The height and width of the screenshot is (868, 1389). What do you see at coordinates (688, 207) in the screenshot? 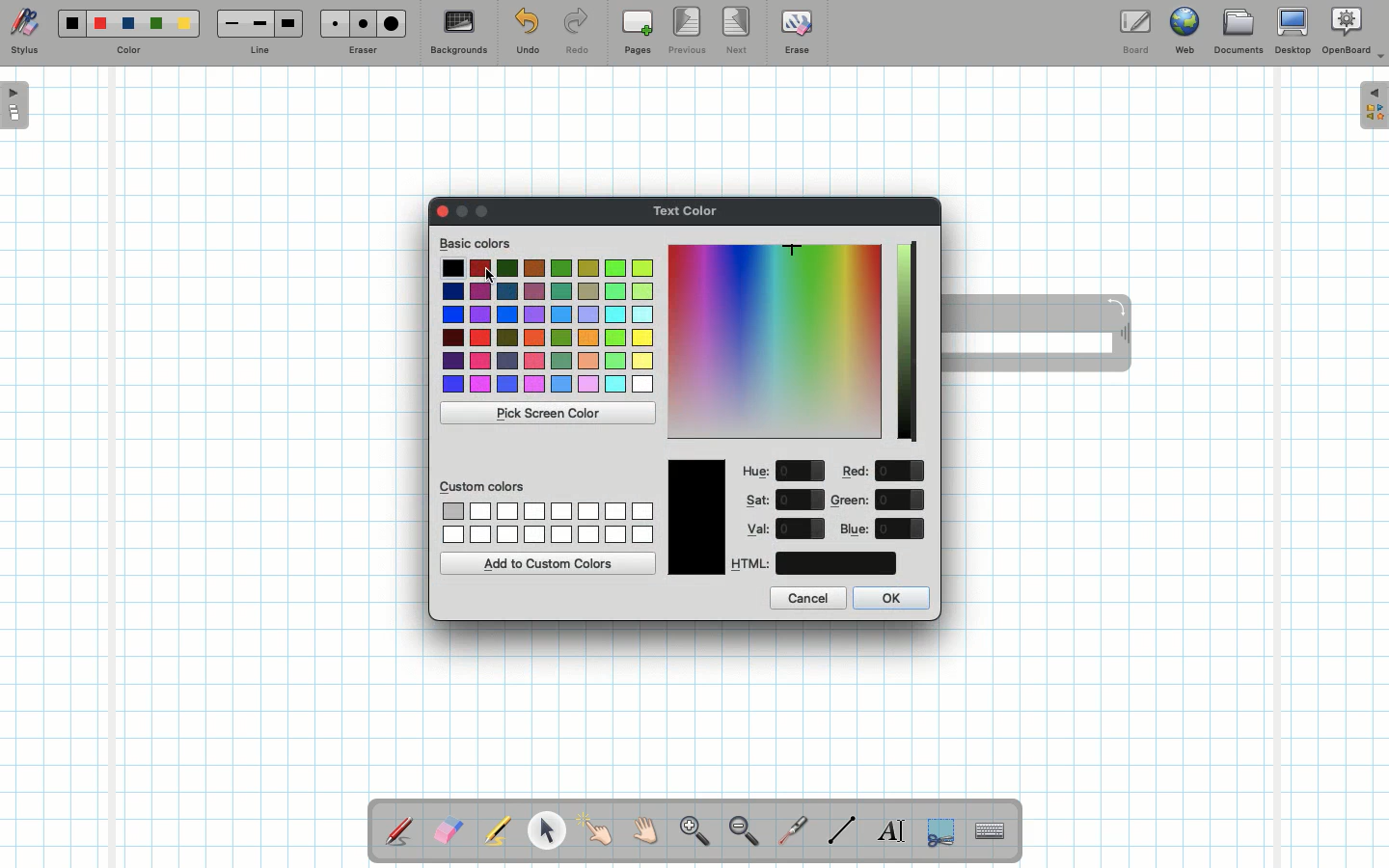
I see `Text color` at bounding box center [688, 207].